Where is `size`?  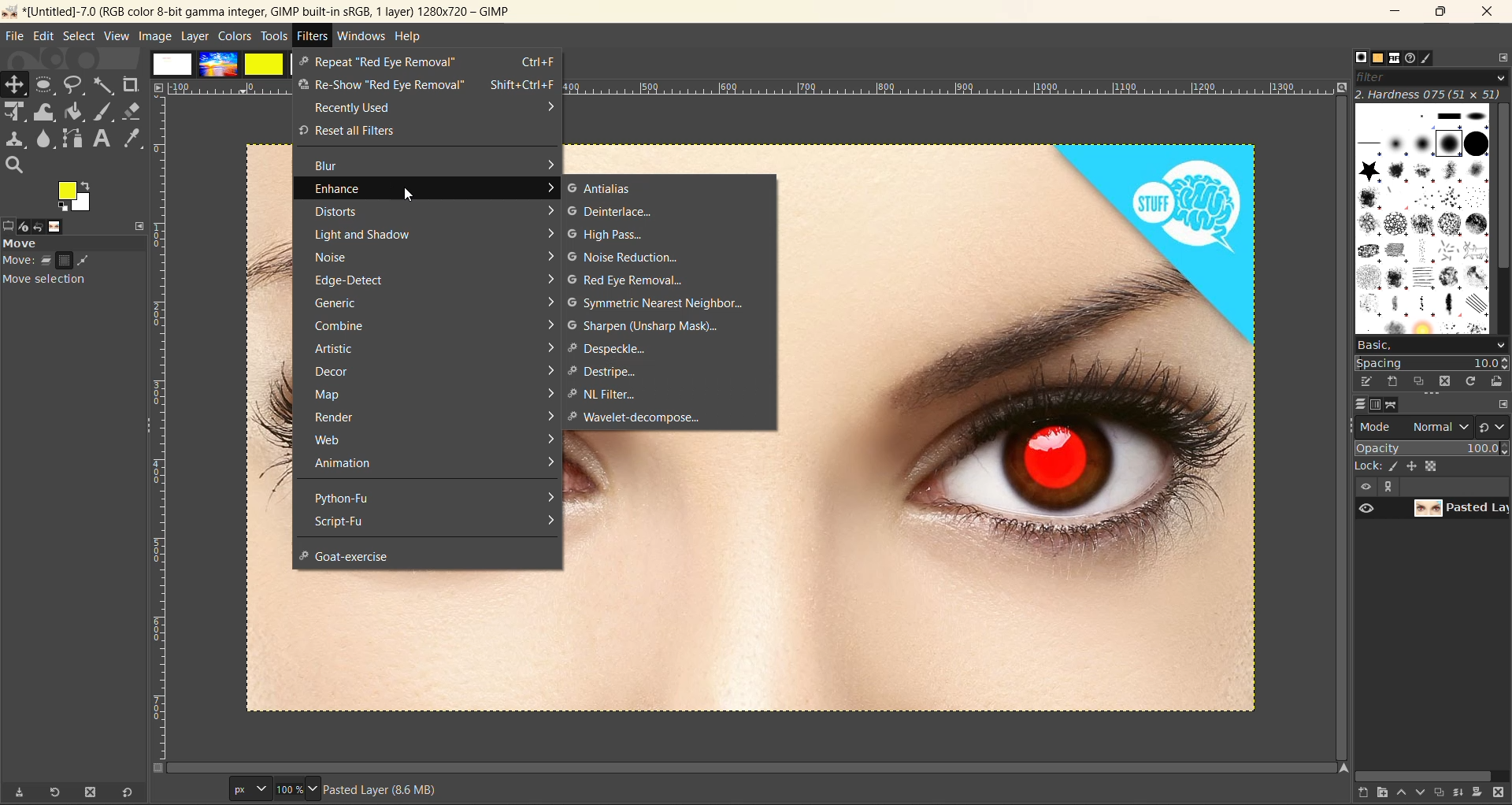
size is located at coordinates (1435, 466).